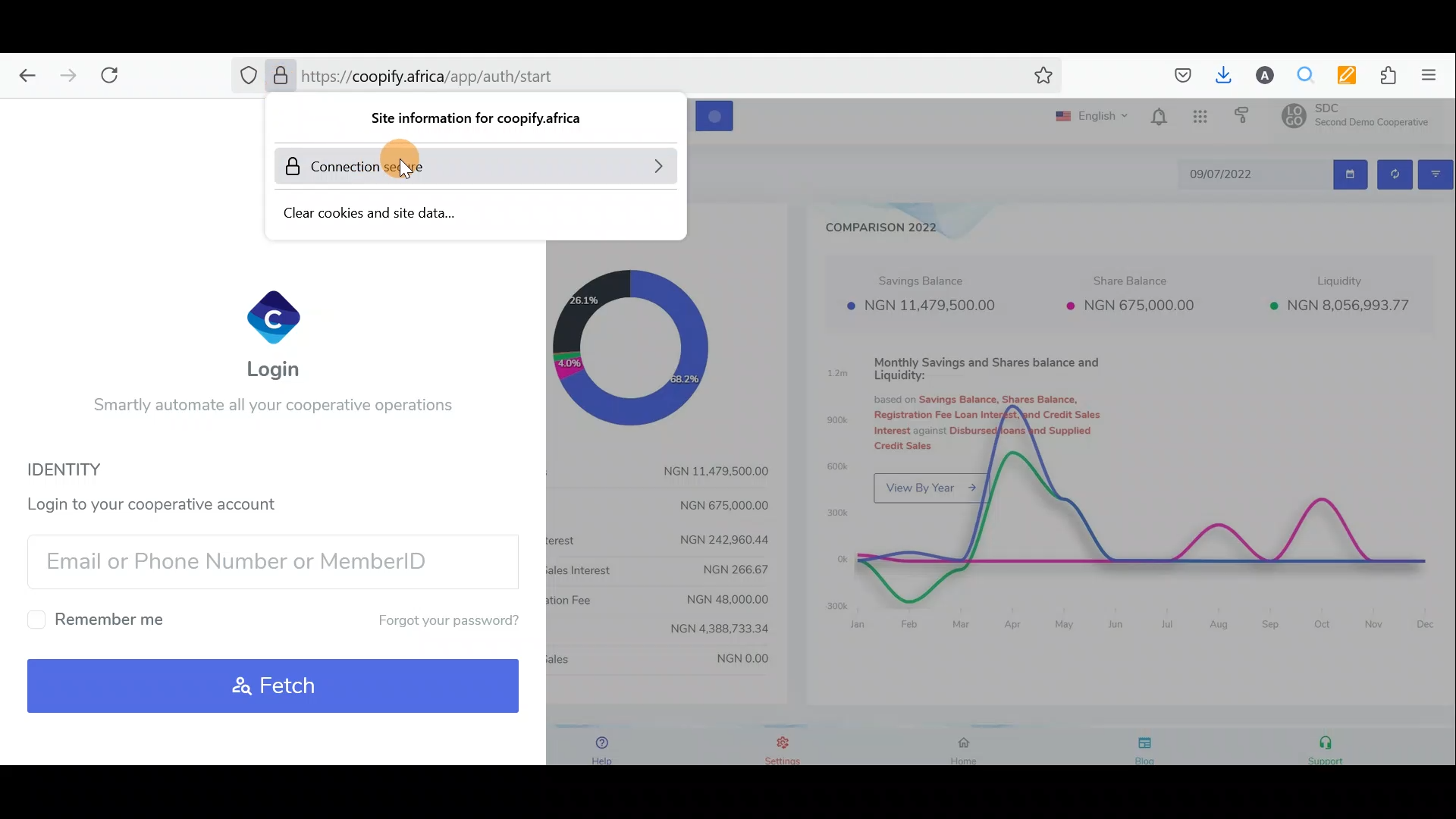  What do you see at coordinates (1040, 78) in the screenshot?
I see `Bookmark this page` at bounding box center [1040, 78].